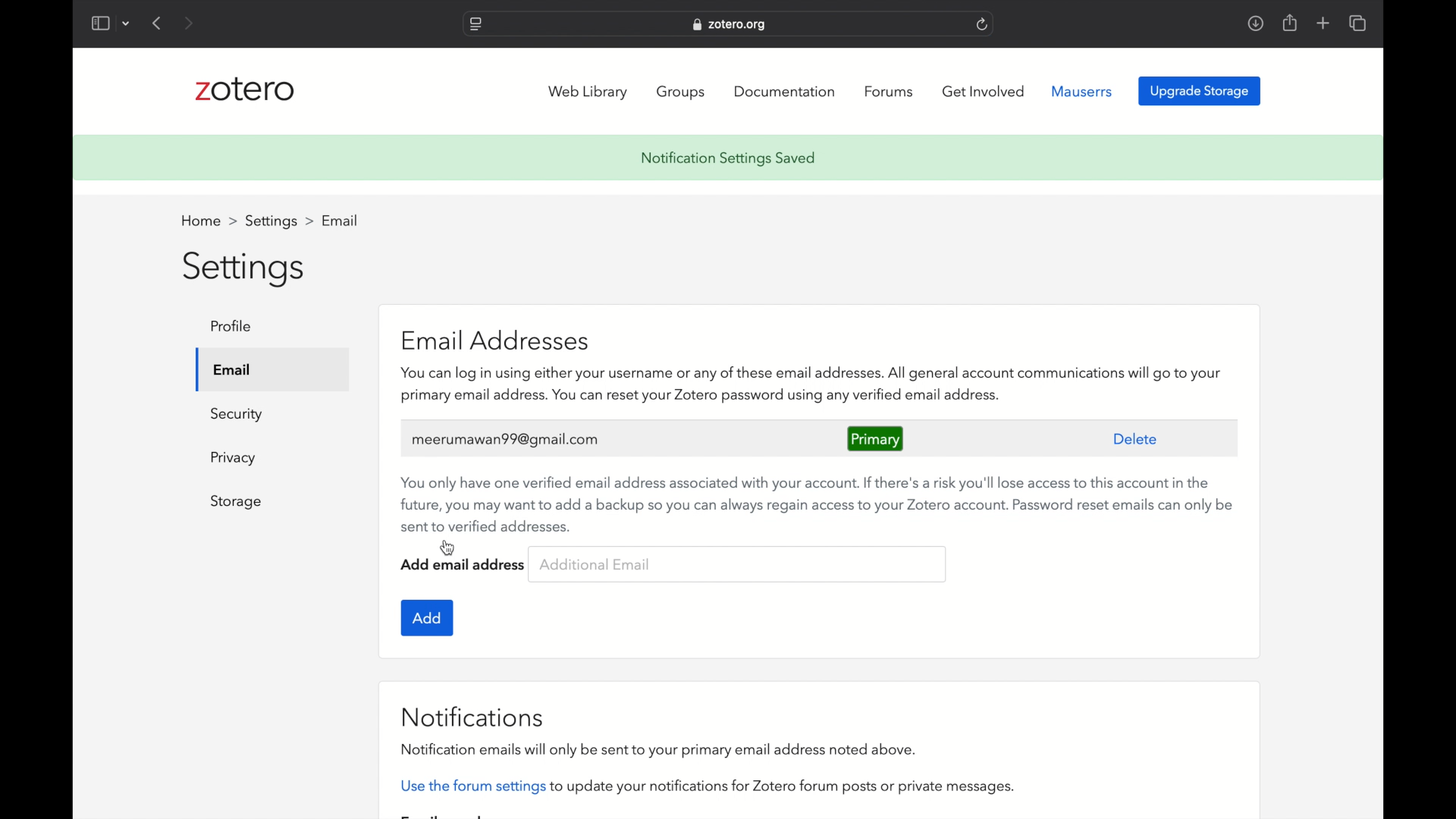 The image size is (1456, 819). Describe the element at coordinates (1200, 91) in the screenshot. I see `upgrade storage` at that location.